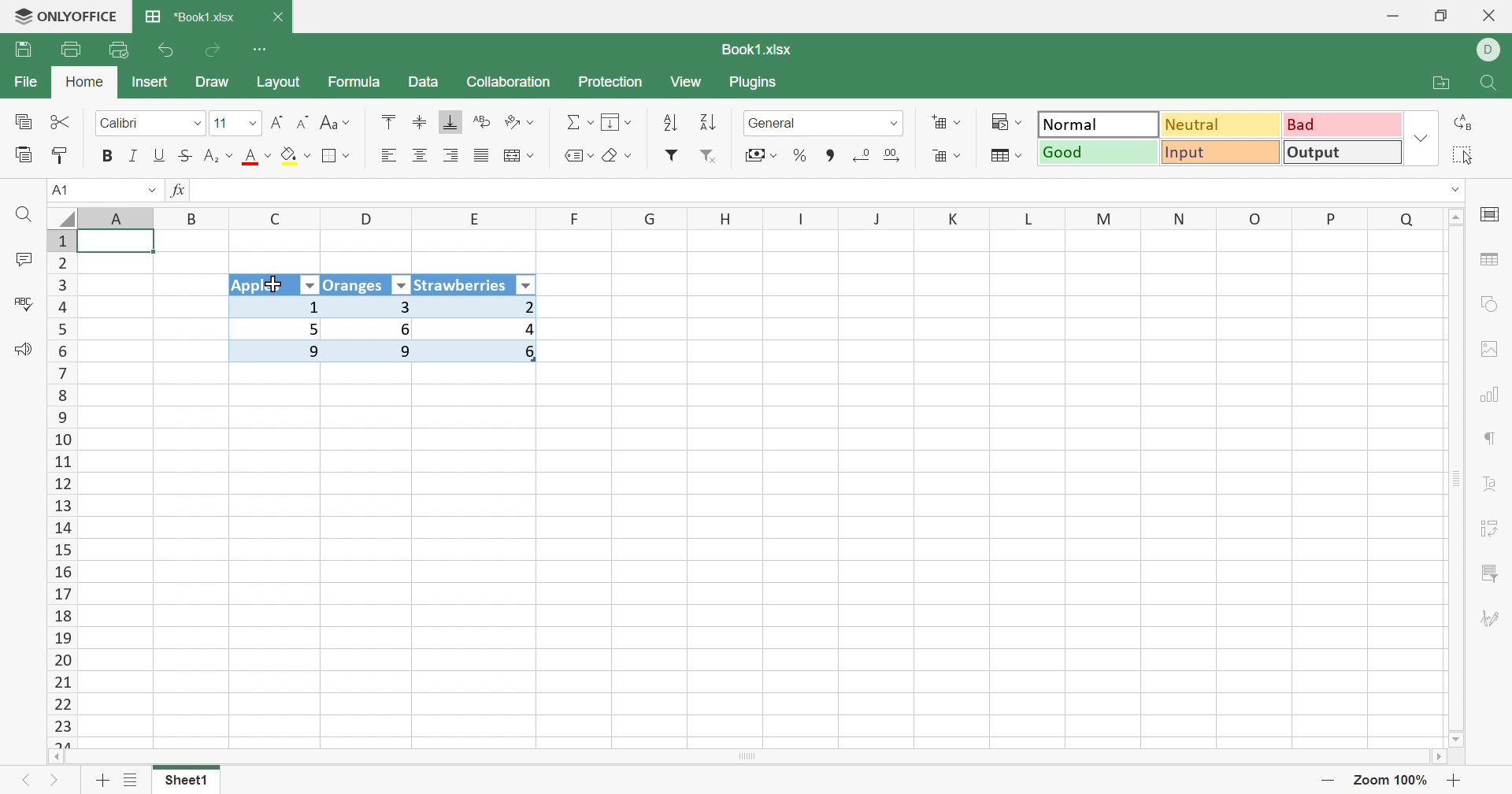 This screenshot has height=794, width=1512. What do you see at coordinates (1469, 155) in the screenshot?
I see `Select all` at bounding box center [1469, 155].